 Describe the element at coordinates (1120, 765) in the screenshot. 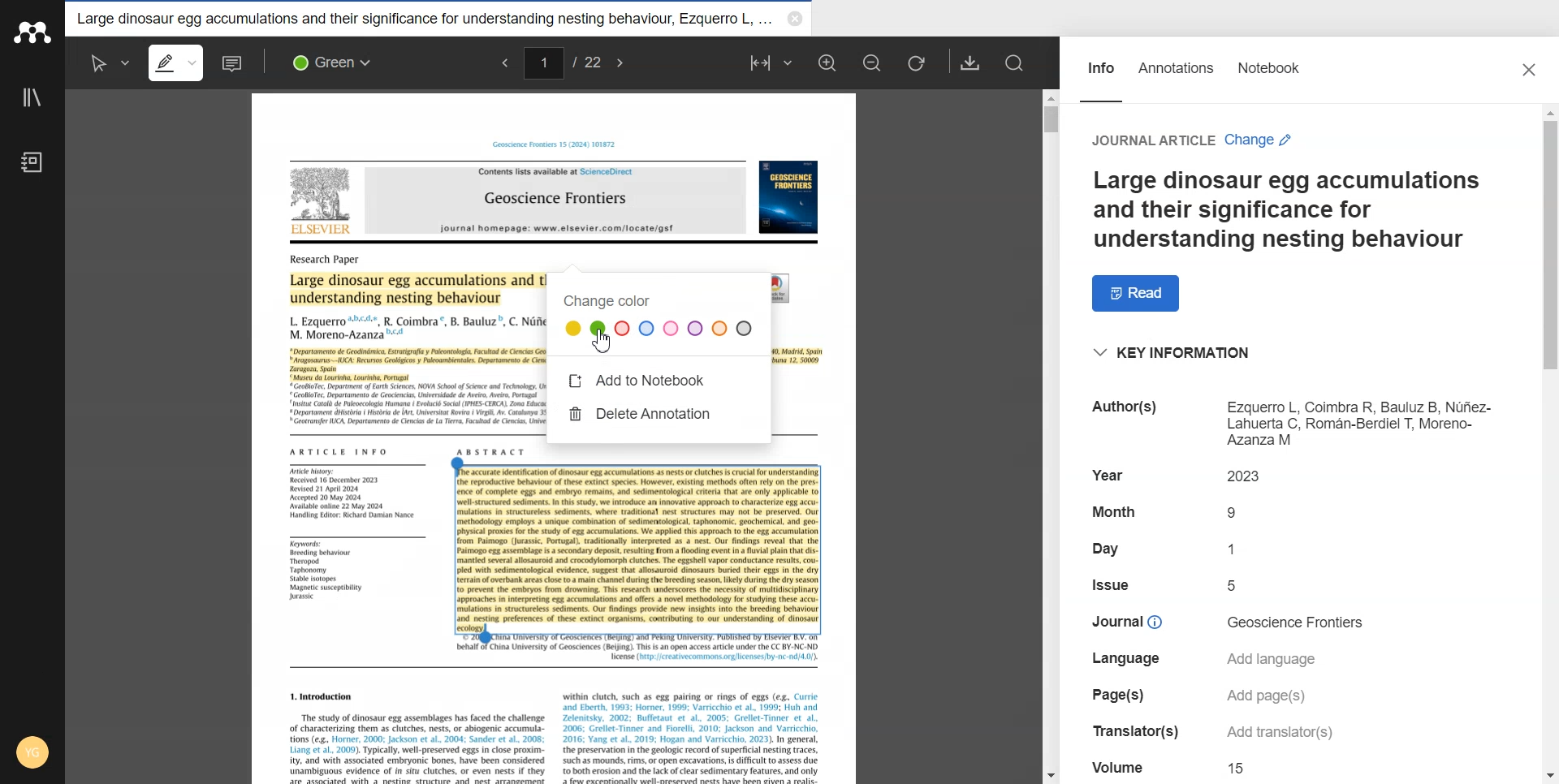

I see `Filetext` at that location.